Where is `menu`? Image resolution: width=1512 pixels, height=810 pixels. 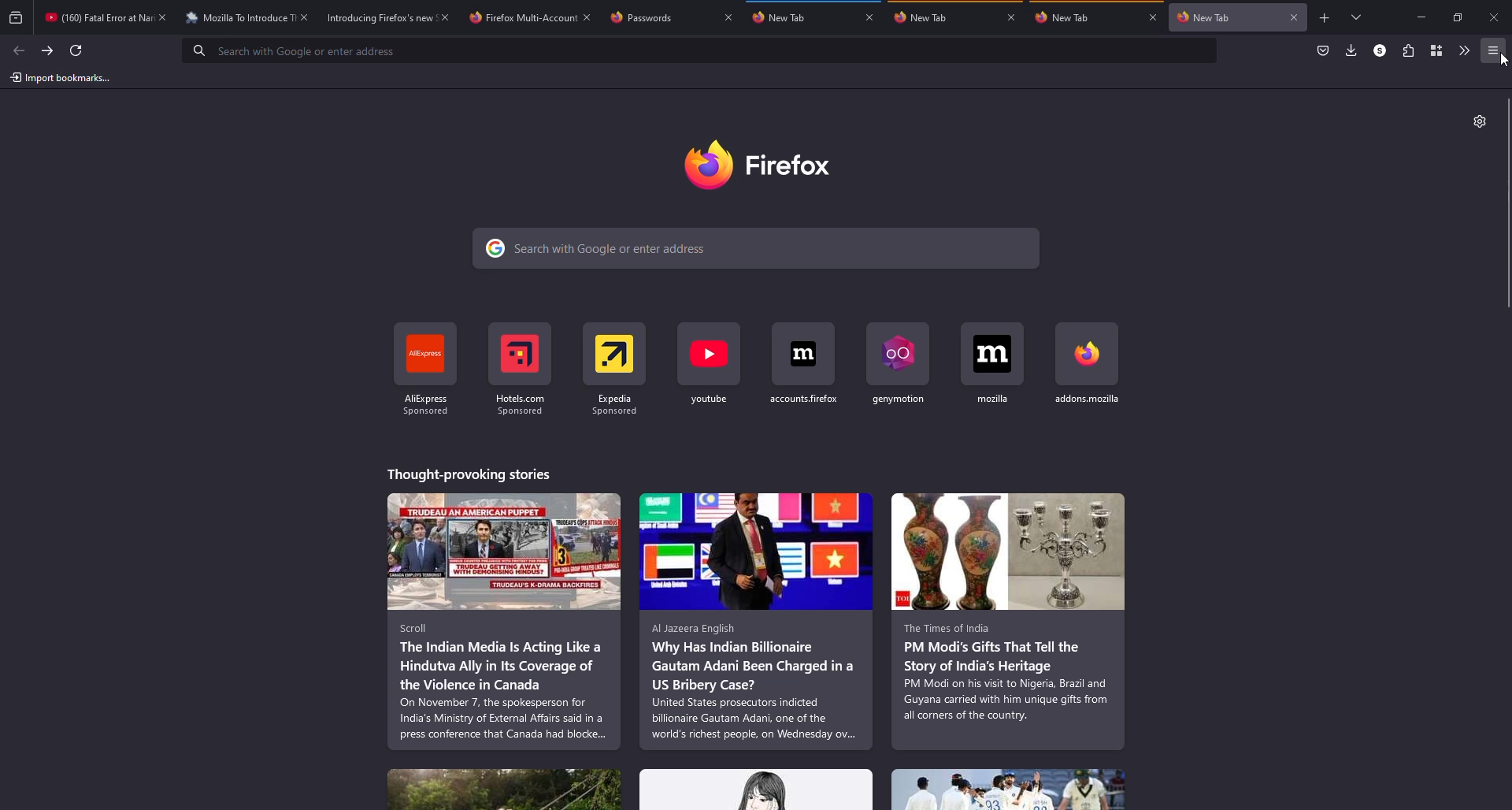
menu is located at coordinates (1495, 51).